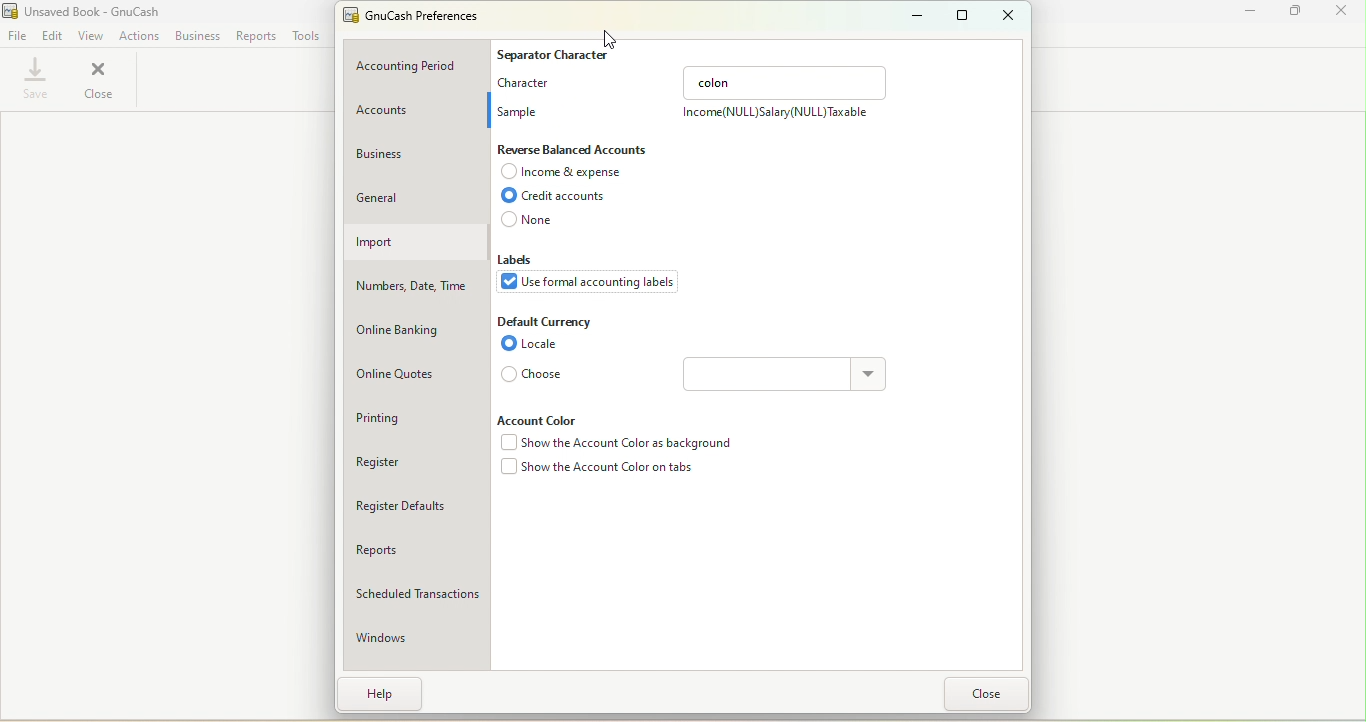 This screenshot has height=722, width=1366. I want to click on Choose, so click(535, 374).